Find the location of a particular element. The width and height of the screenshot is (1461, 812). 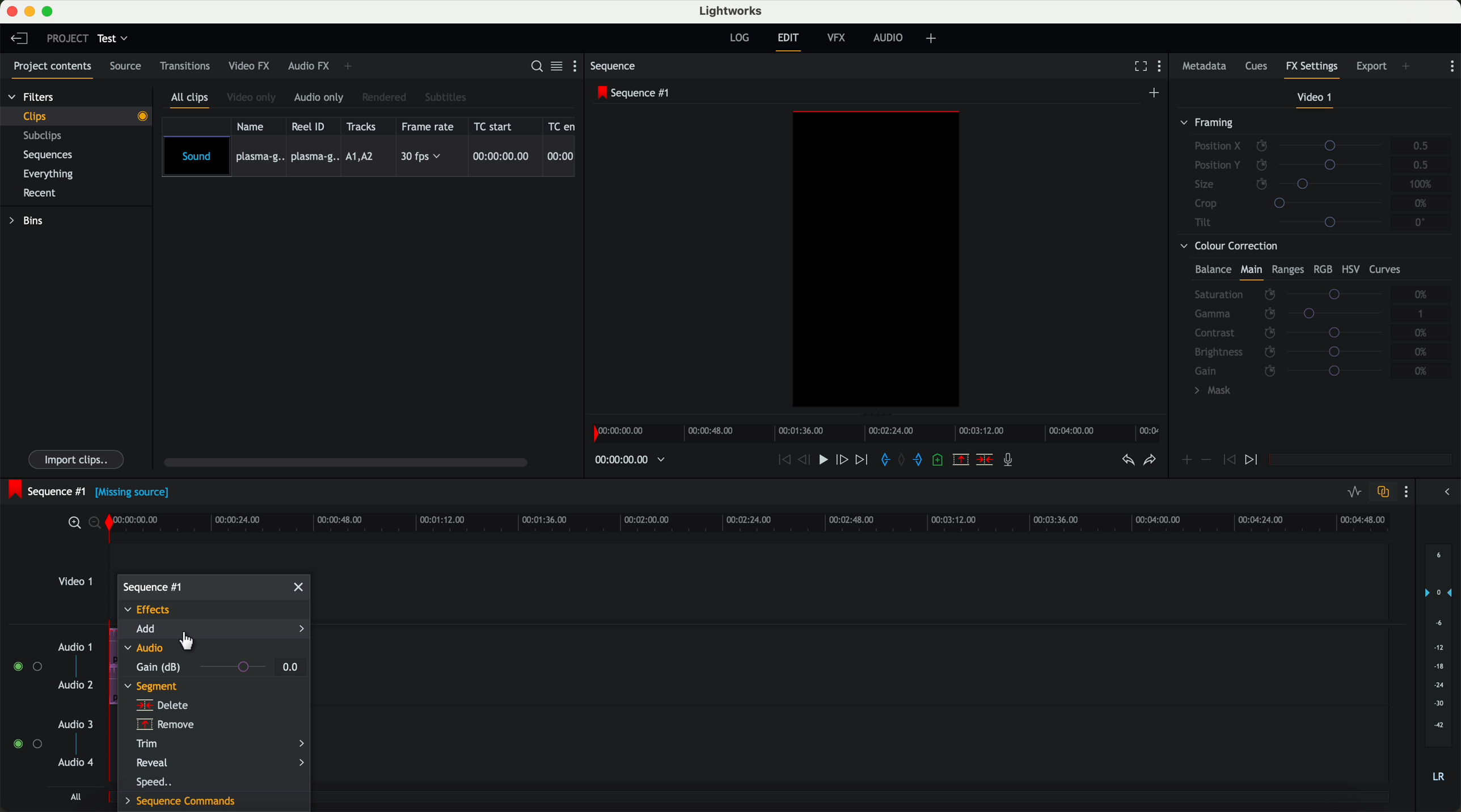

audio only is located at coordinates (320, 98).